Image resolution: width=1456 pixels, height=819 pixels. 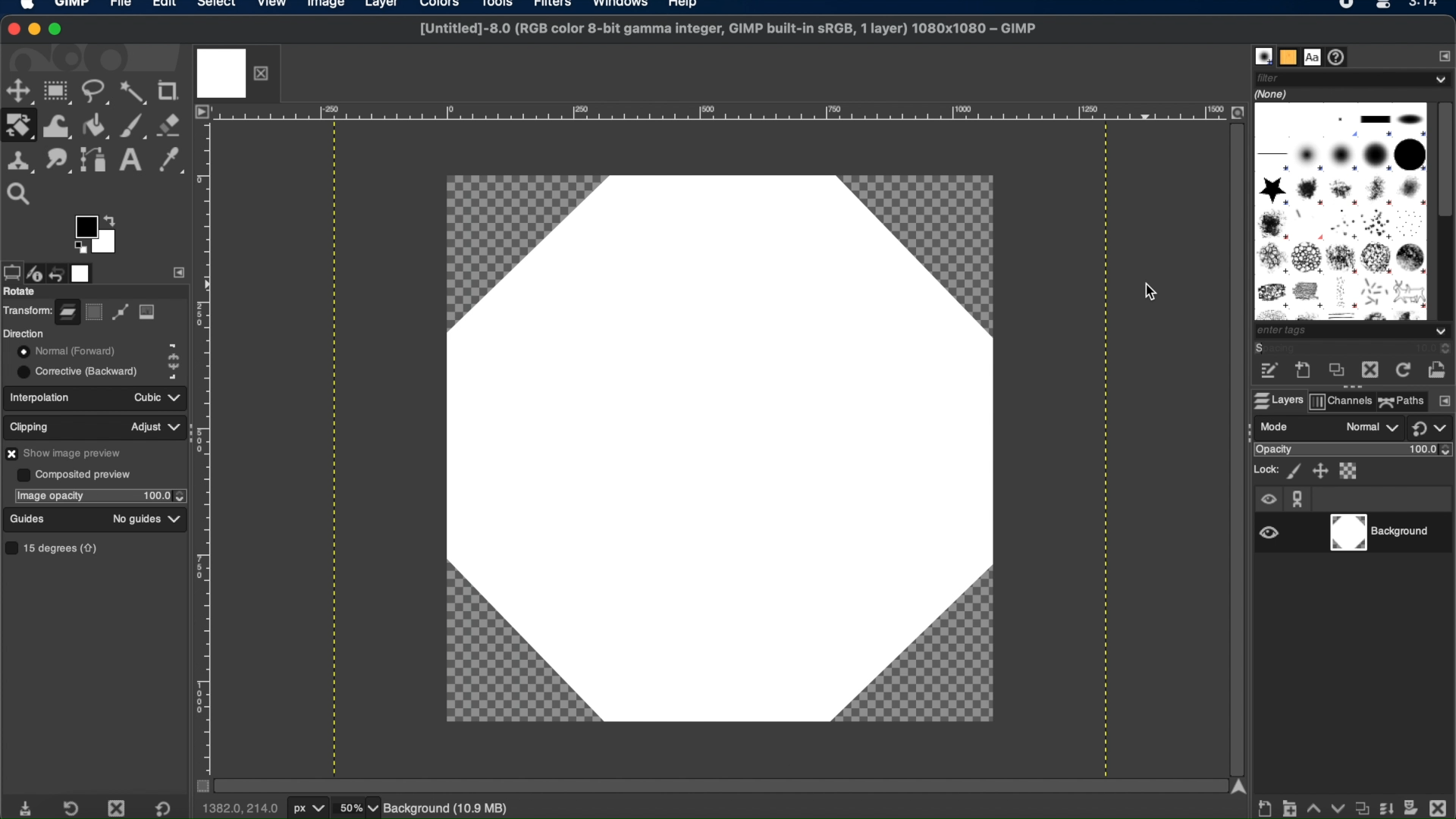 What do you see at coordinates (58, 92) in the screenshot?
I see `rectangle select tool` at bounding box center [58, 92].